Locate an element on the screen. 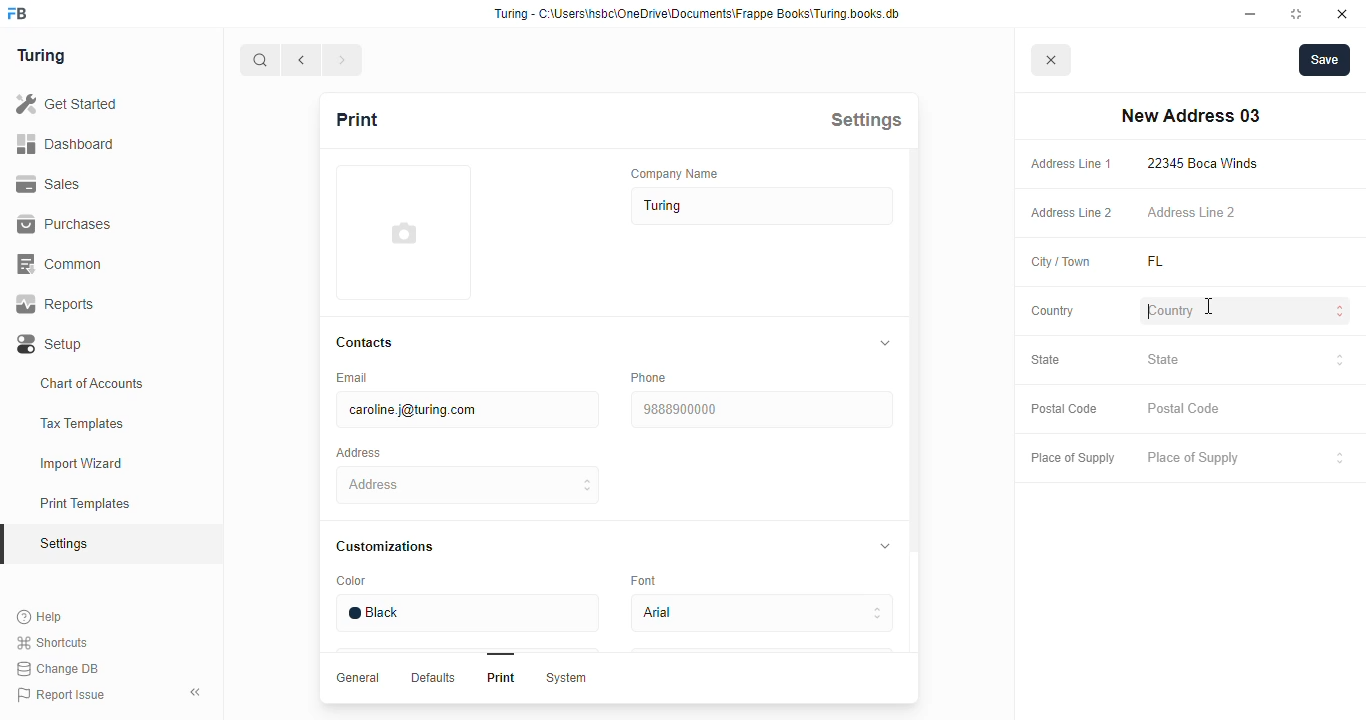 The width and height of the screenshot is (1366, 720). place of supply is located at coordinates (1072, 459).